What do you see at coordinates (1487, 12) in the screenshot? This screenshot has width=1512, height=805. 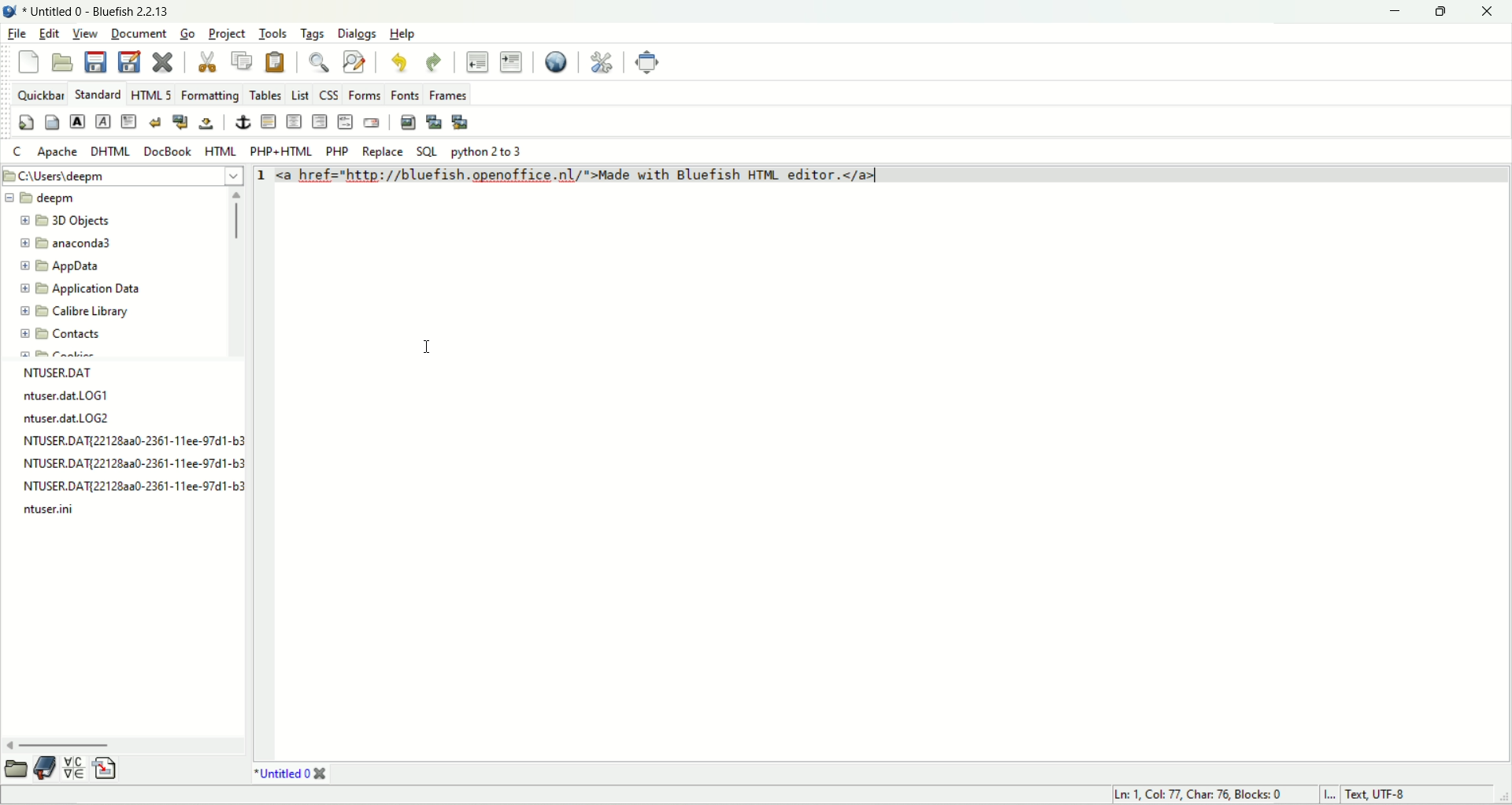 I see `close` at bounding box center [1487, 12].